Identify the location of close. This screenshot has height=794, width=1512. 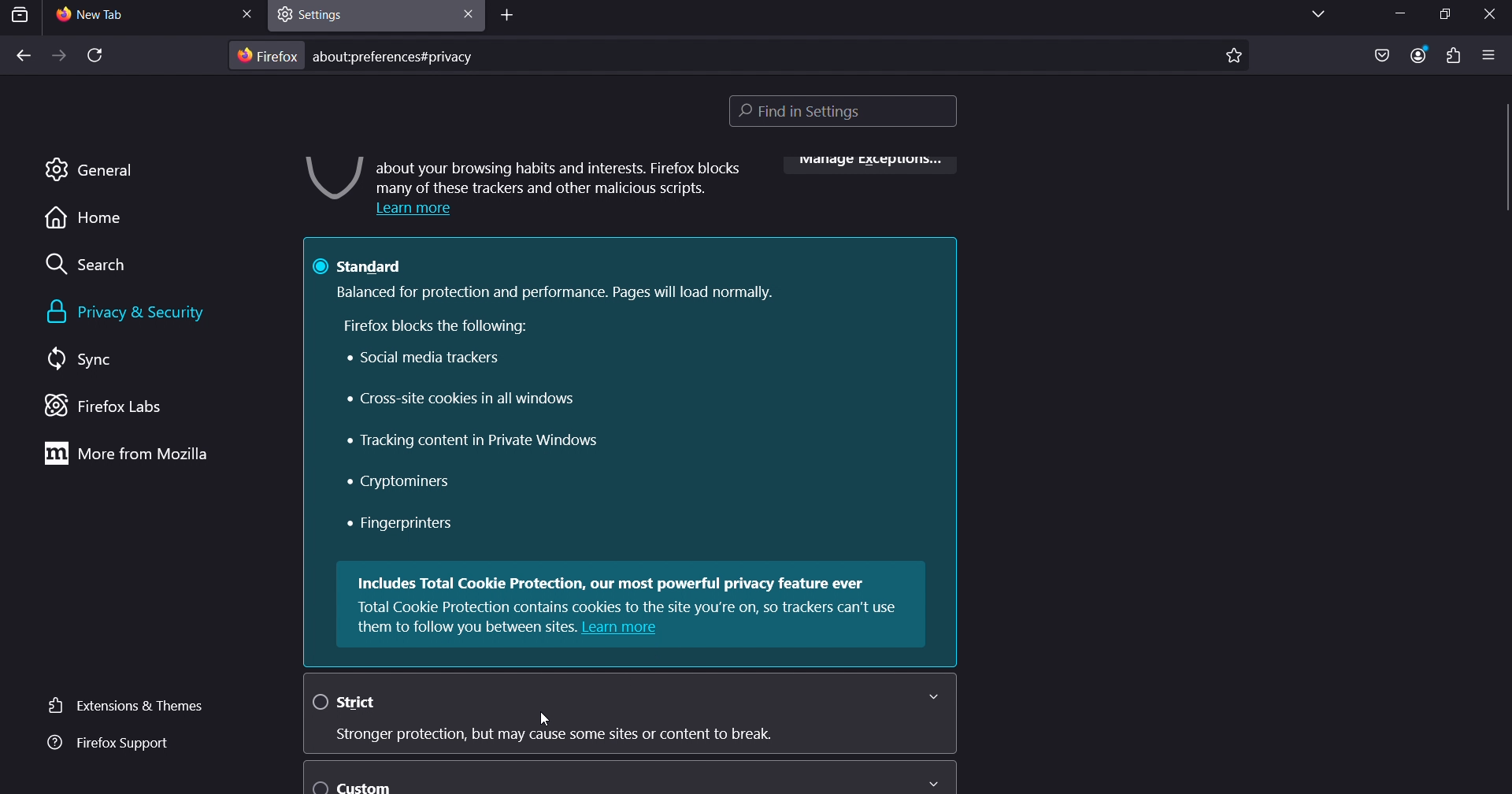
(247, 13).